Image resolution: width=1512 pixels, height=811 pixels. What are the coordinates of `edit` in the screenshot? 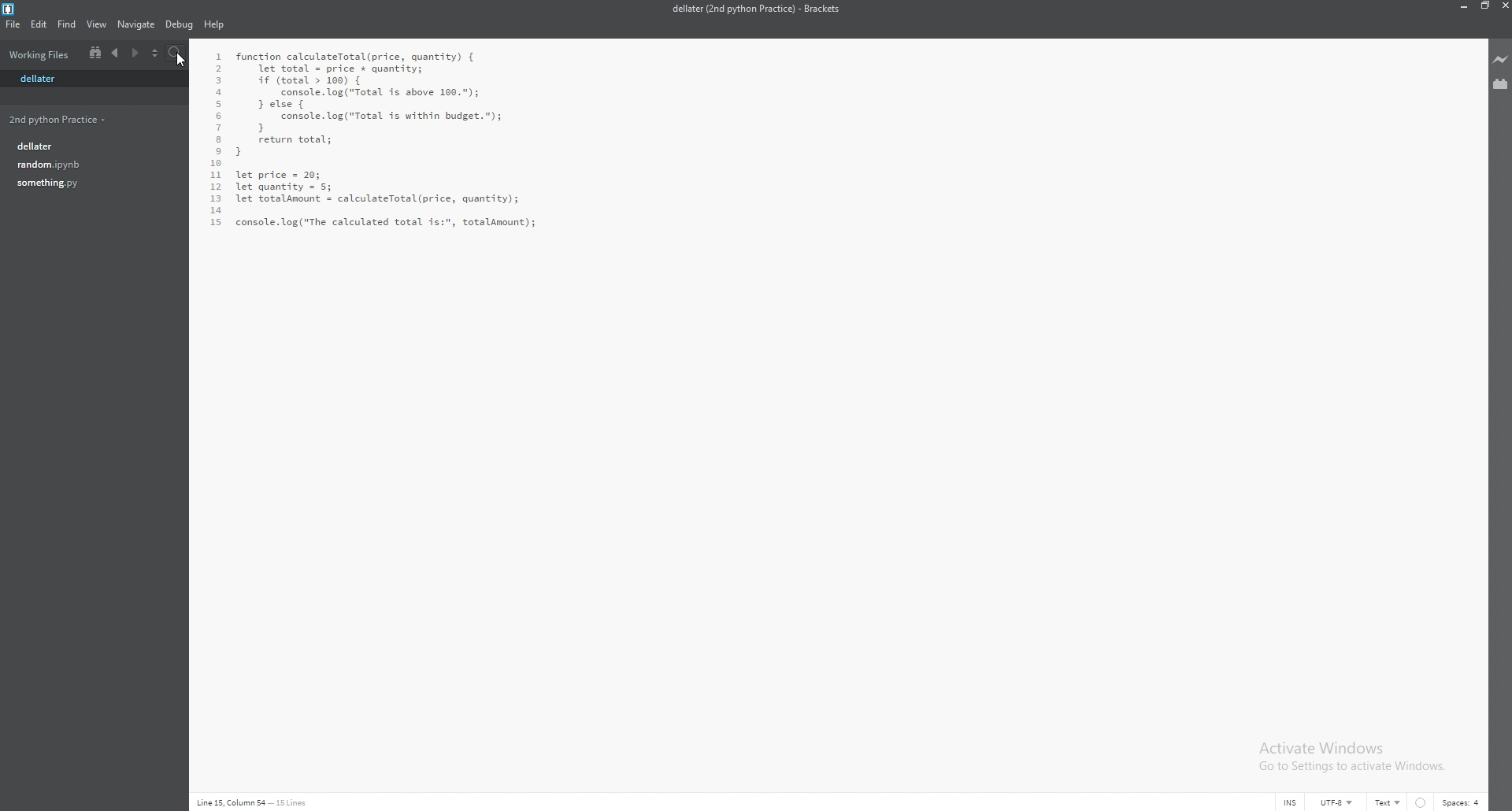 It's located at (38, 24).